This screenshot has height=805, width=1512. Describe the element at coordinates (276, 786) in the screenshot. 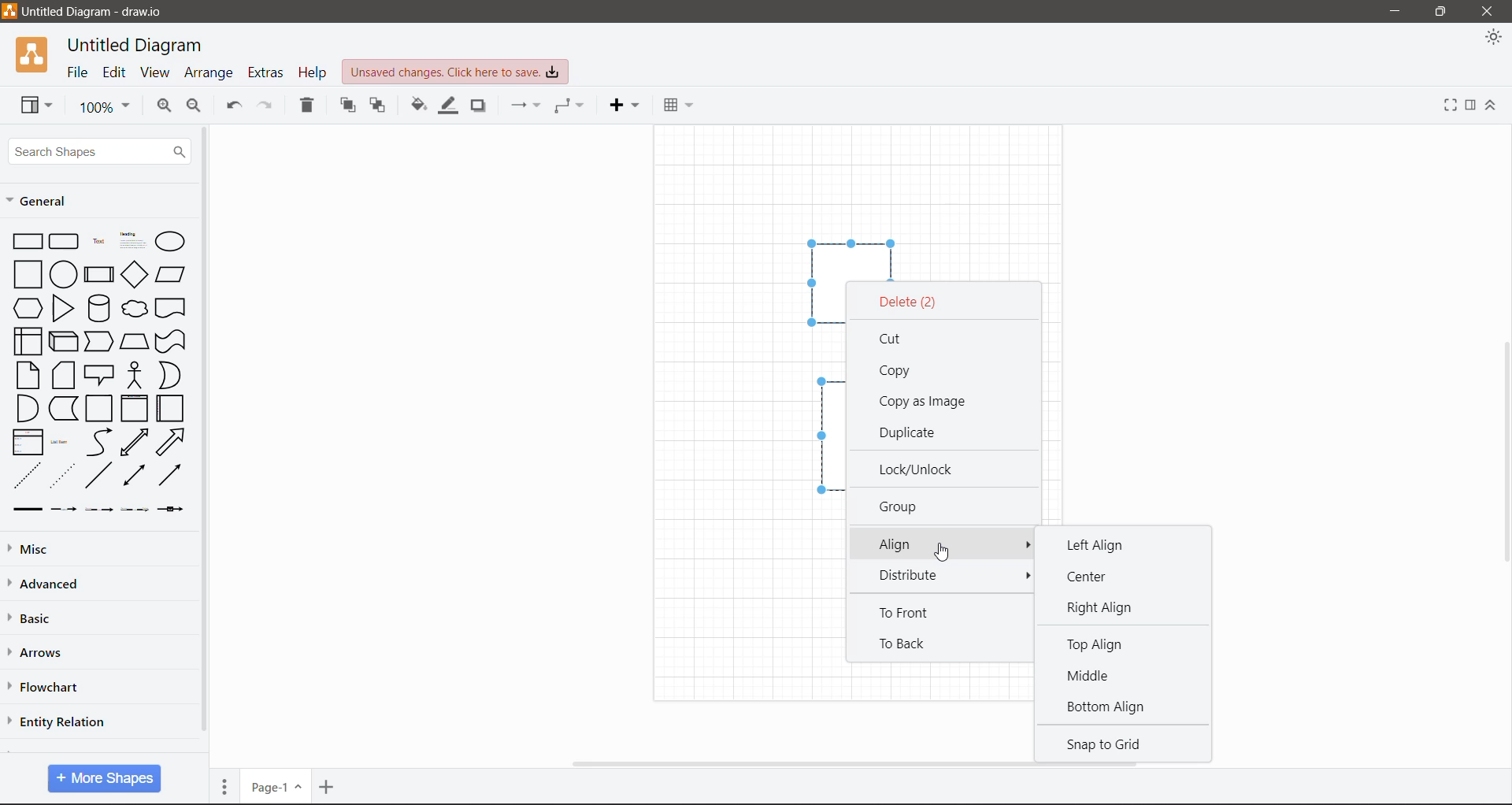

I see `Page Number` at that location.